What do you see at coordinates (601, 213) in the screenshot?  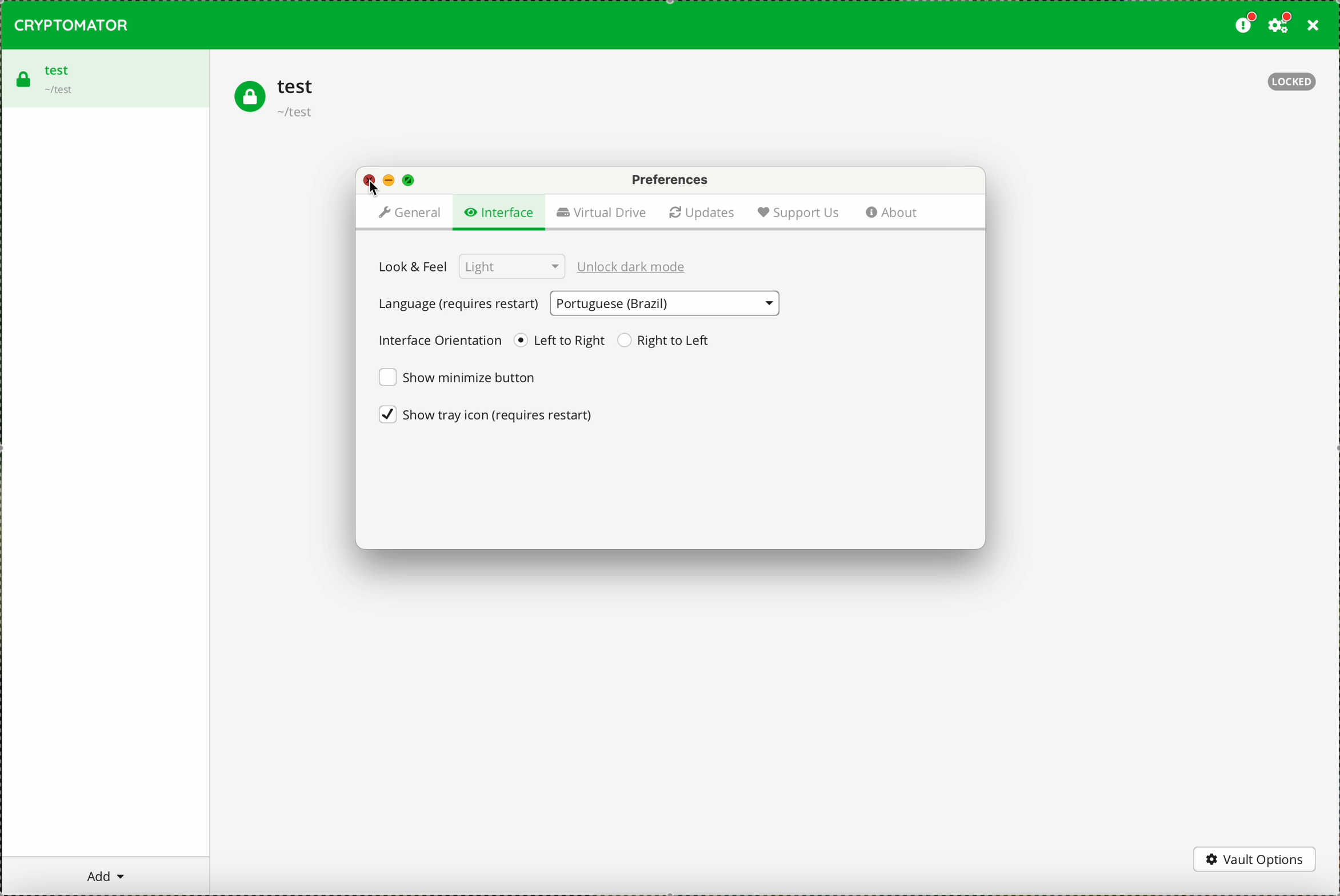 I see `virtual drive` at bounding box center [601, 213].